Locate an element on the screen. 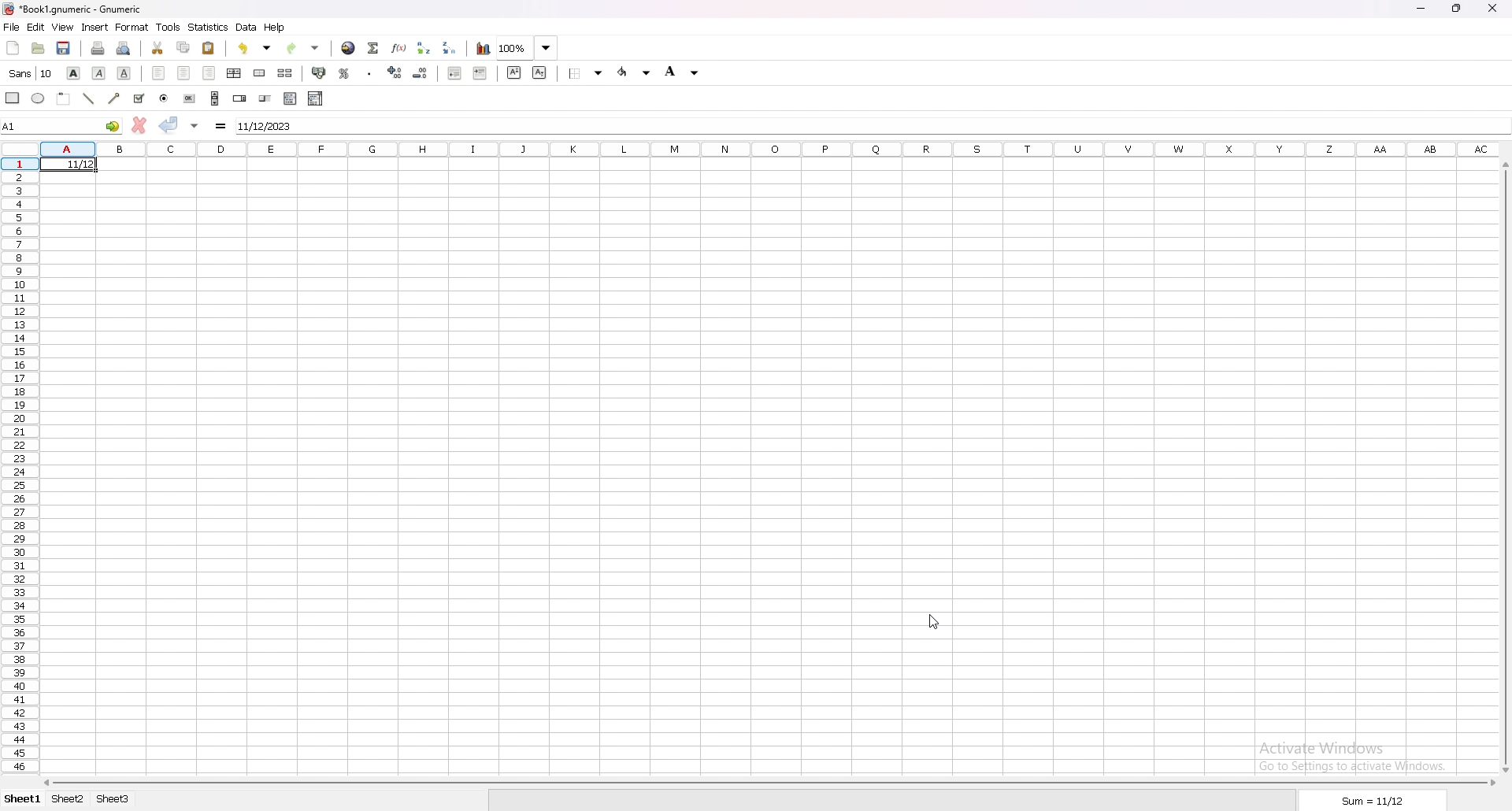 The width and height of the screenshot is (1512, 811). decrease indent is located at coordinates (455, 72).